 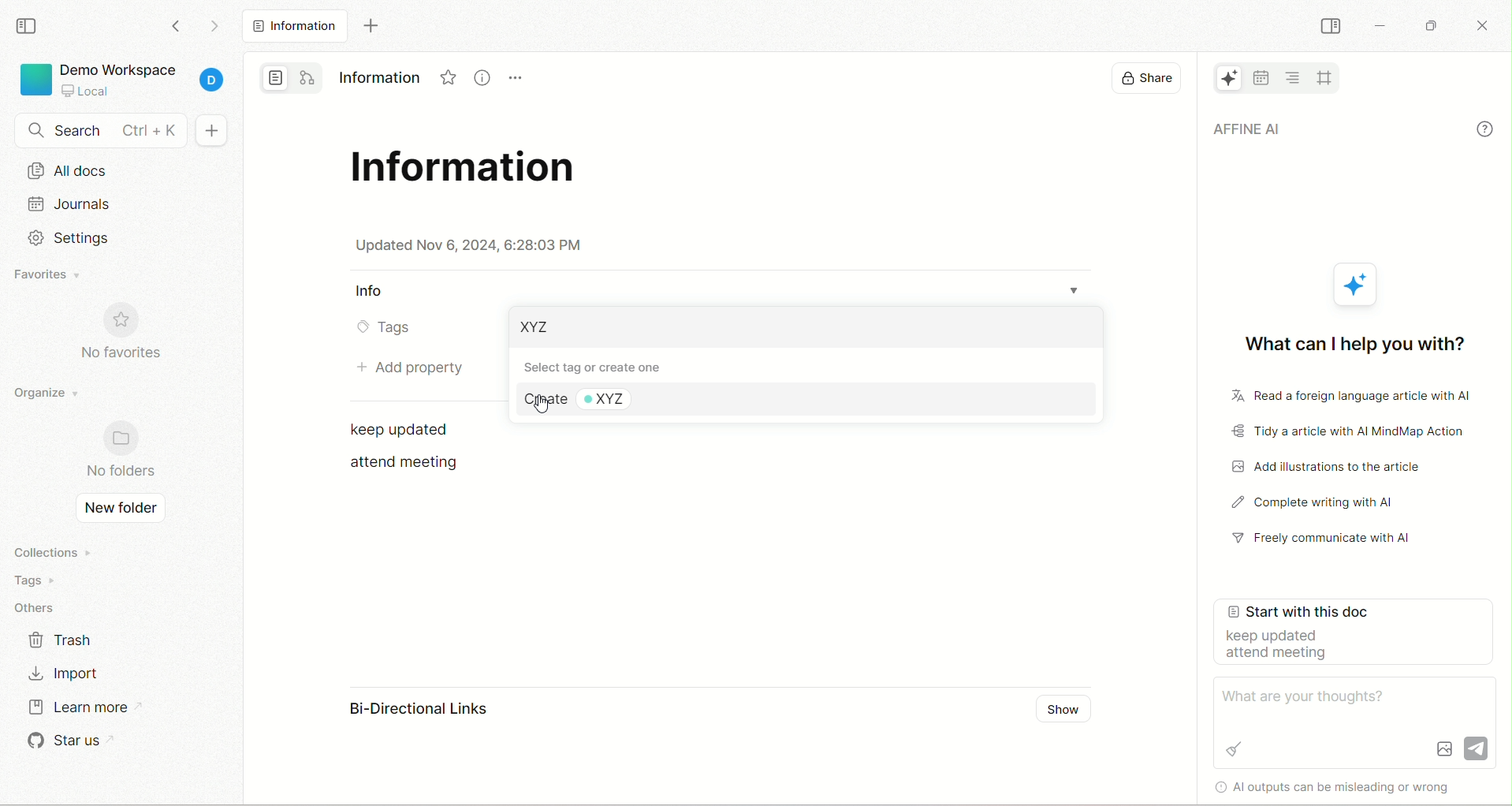 What do you see at coordinates (1261, 77) in the screenshot?
I see `calender` at bounding box center [1261, 77].